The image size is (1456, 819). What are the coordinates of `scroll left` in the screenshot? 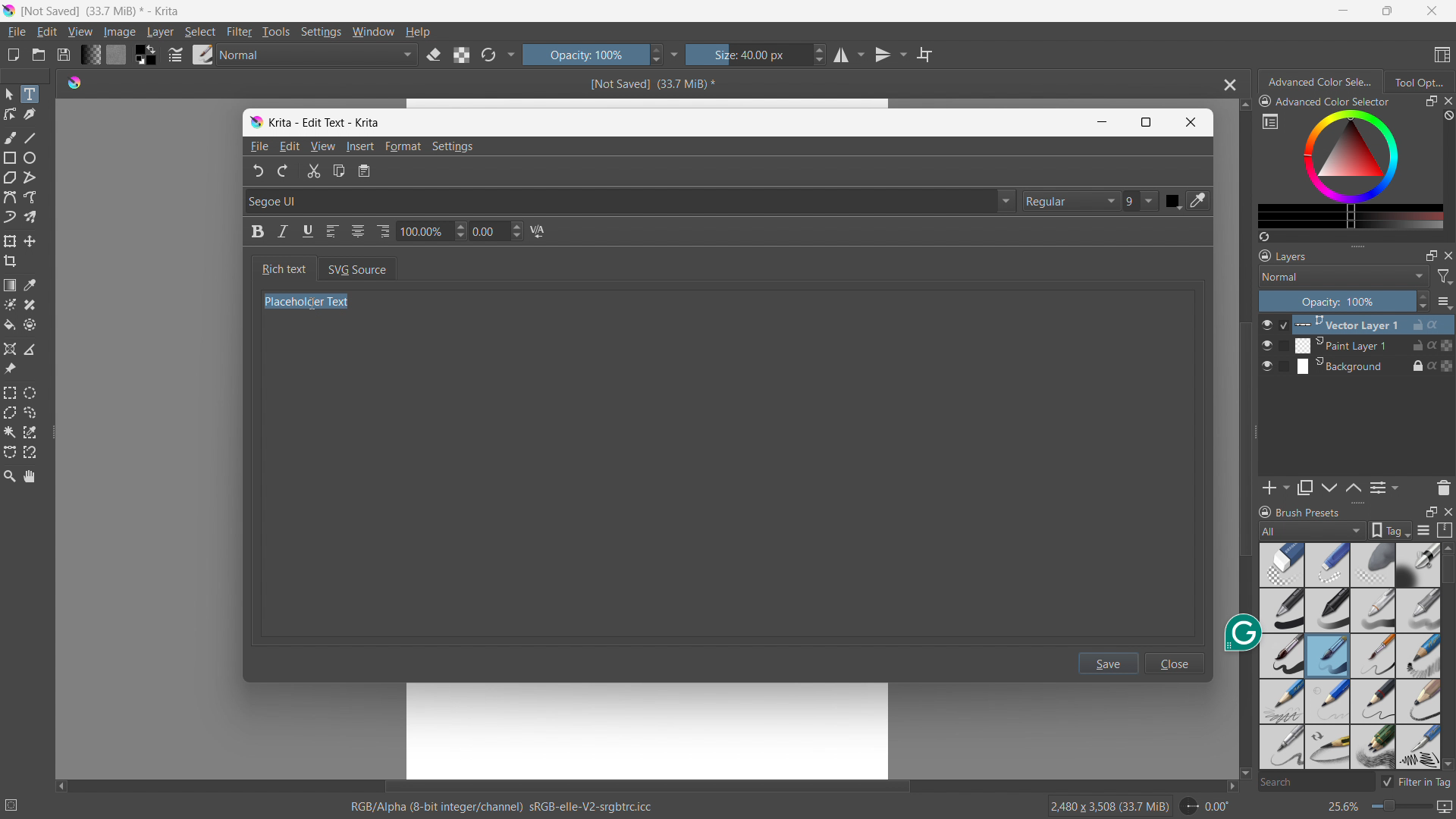 It's located at (61, 783).